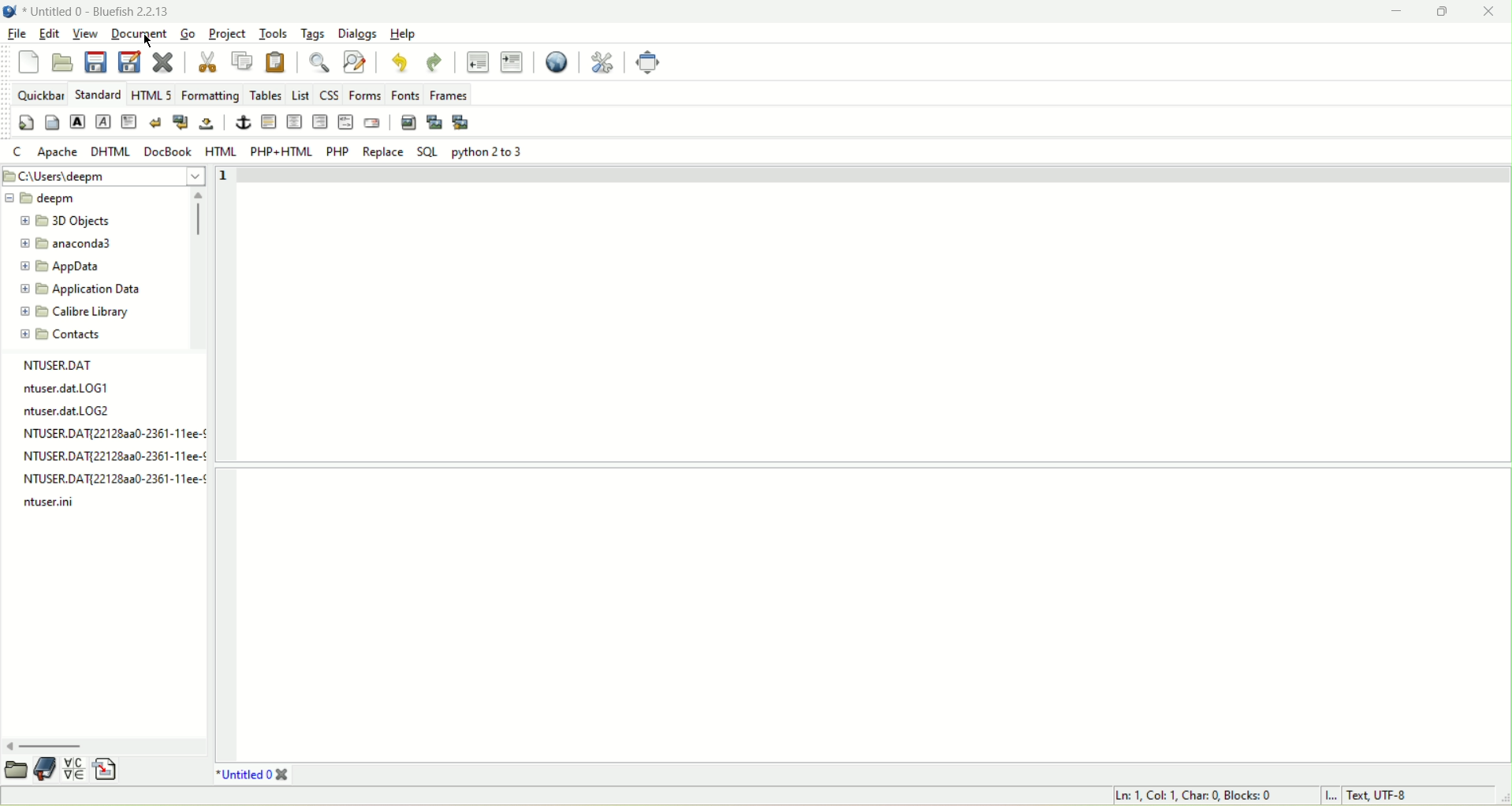 The width and height of the screenshot is (1512, 806). I want to click on forms, so click(364, 95).